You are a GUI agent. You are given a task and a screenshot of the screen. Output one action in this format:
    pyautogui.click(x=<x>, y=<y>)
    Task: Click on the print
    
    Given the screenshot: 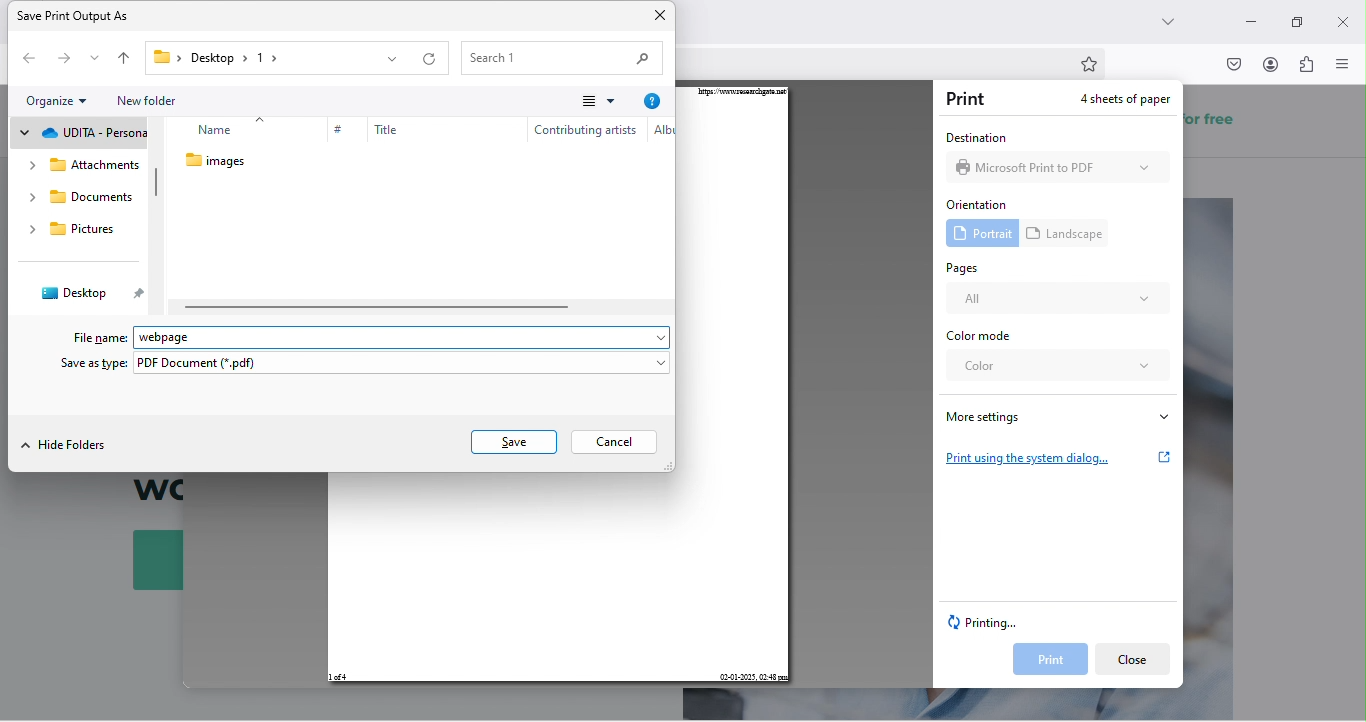 What is the action you would take?
    pyautogui.click(x=970, y=100)
    